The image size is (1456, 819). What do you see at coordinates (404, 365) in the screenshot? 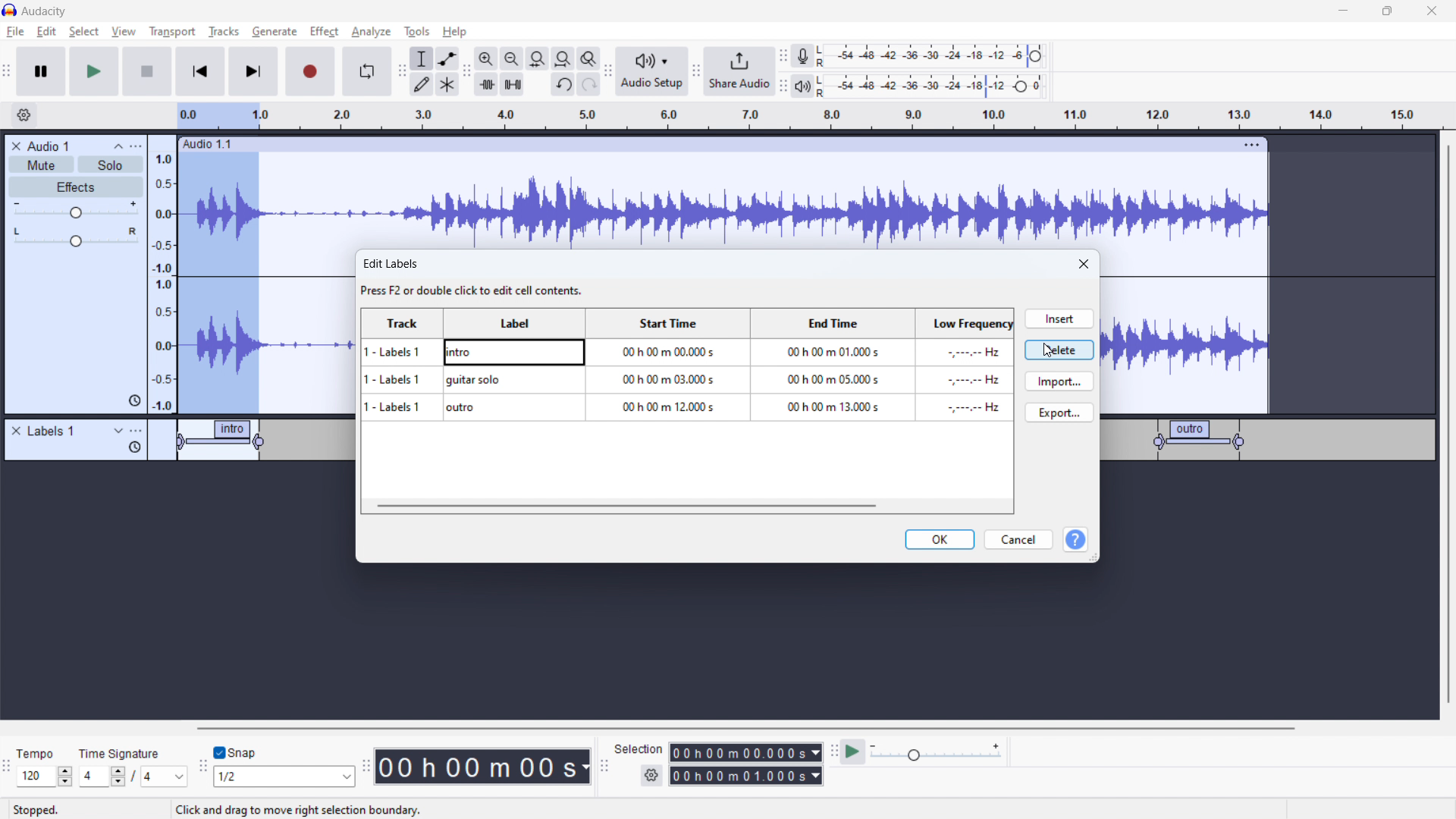
I see `track` at bounding box center [404, 365].